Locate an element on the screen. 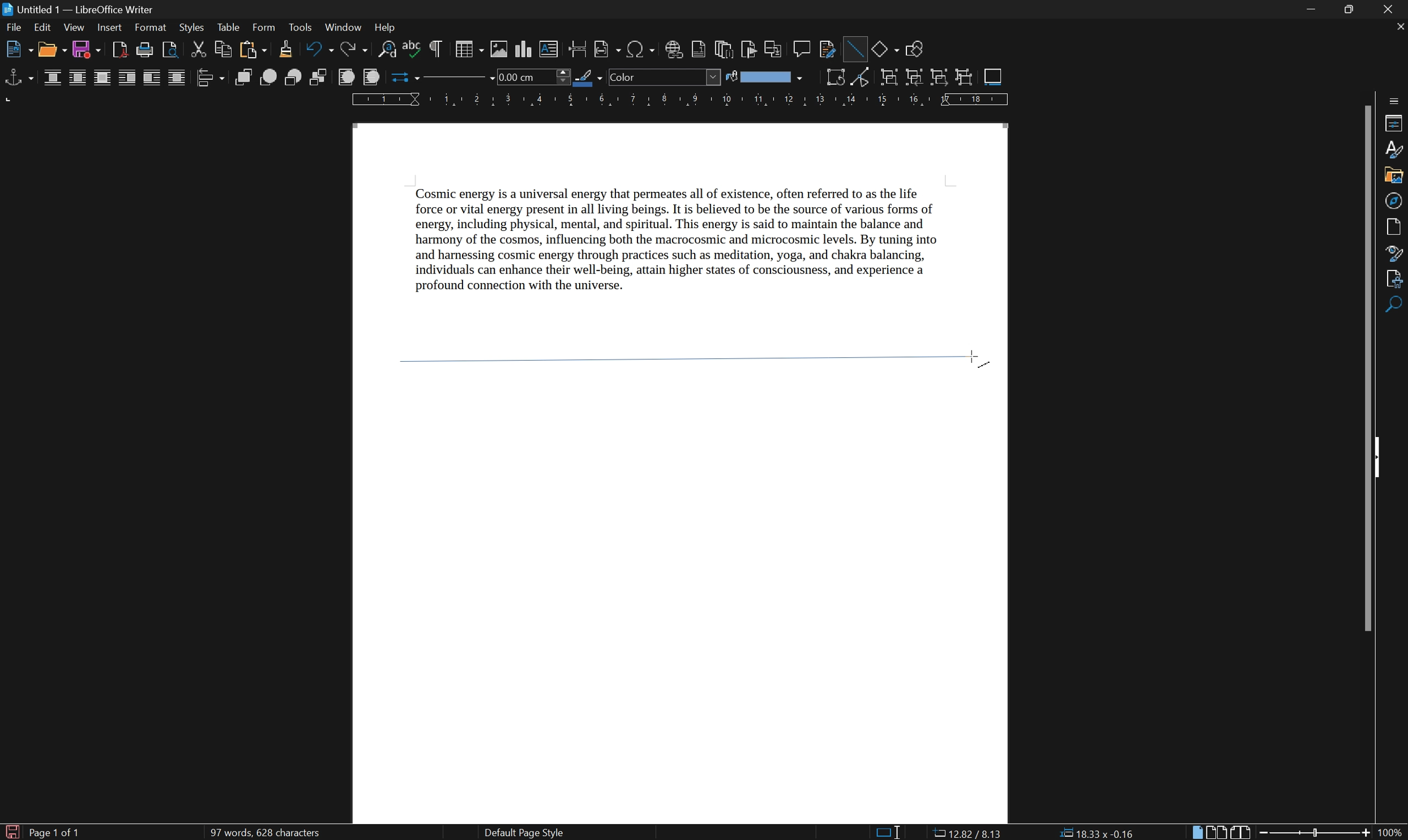 The image size is (1408, 840). insert special characters is located at coordinates (641, 49).